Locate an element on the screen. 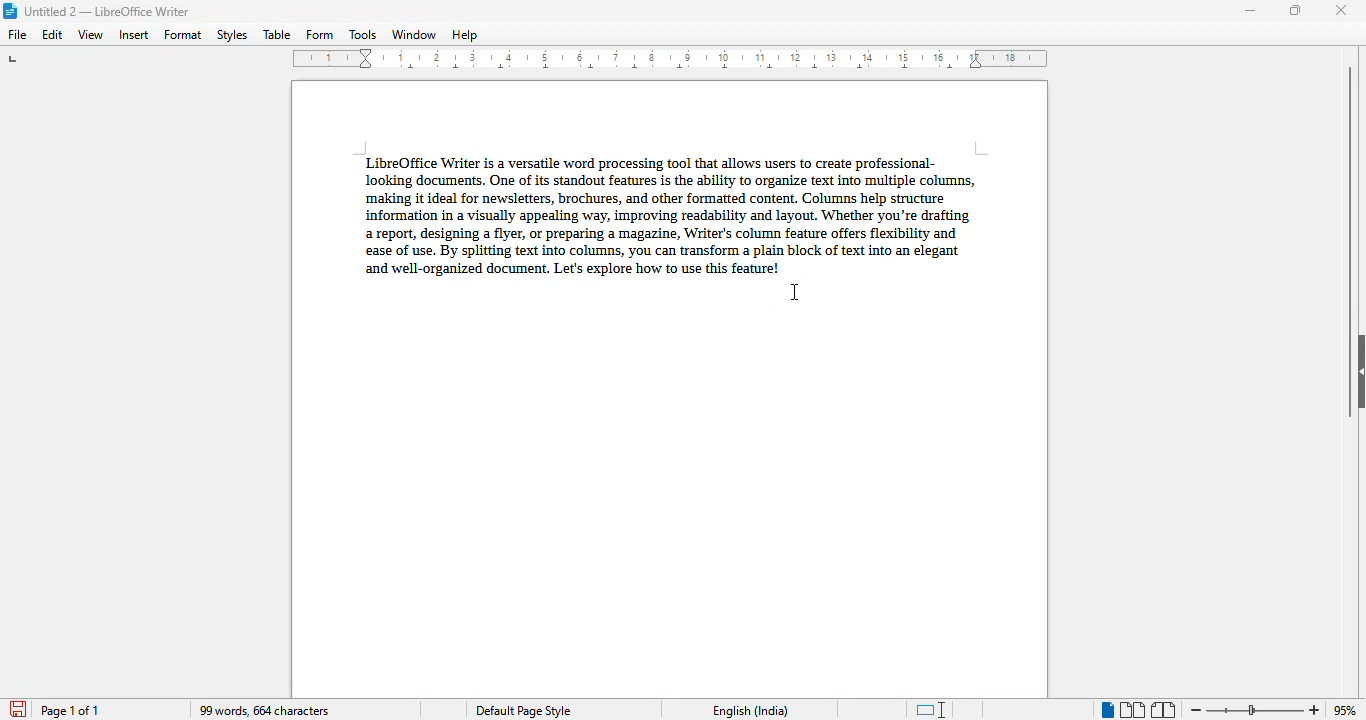 This screenshot has height=720, width=1366. format is located at coordinates (183, 34).